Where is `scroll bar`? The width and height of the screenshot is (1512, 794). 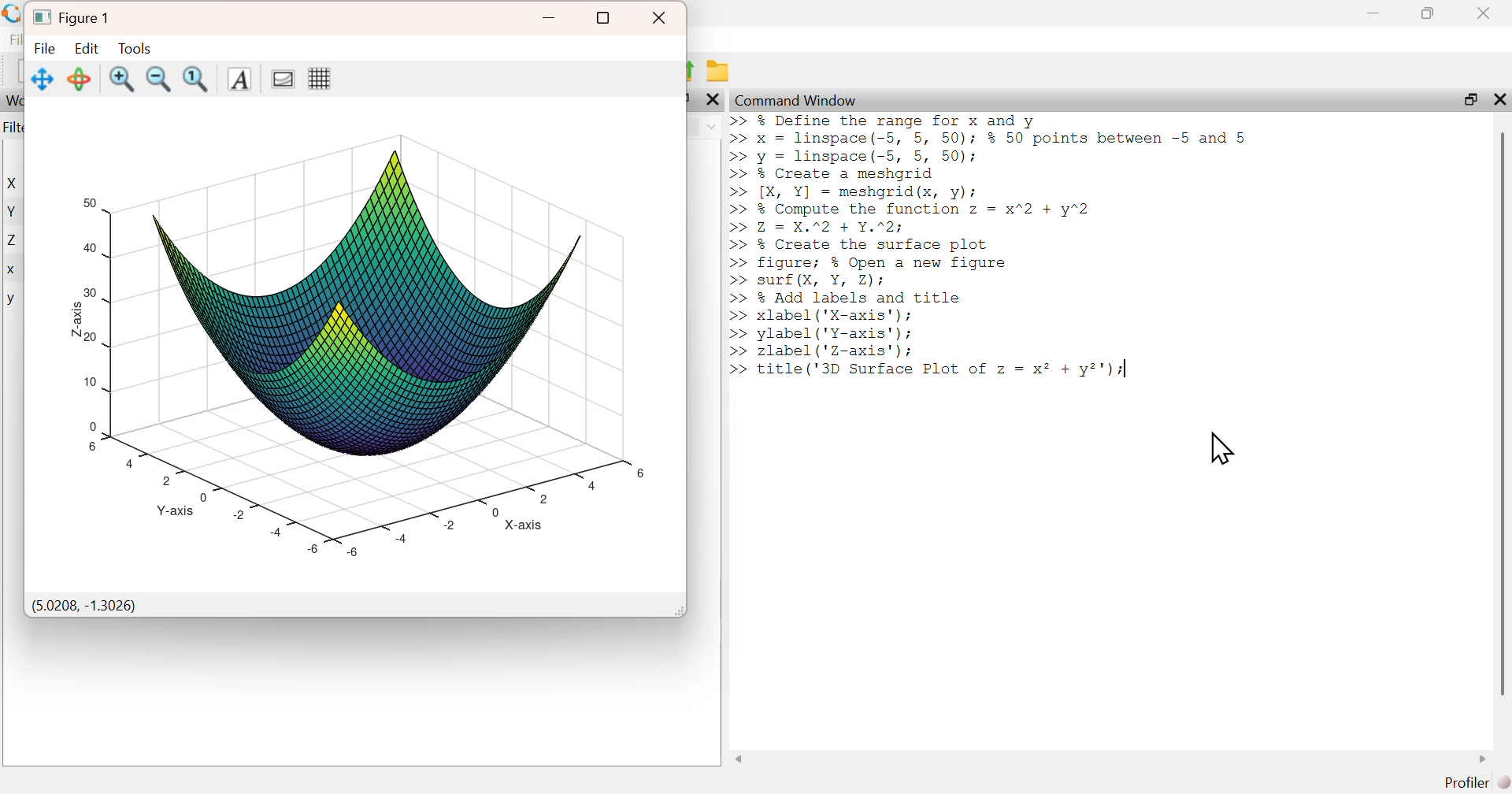
scroll bar is located at coordinates (1502, 413).